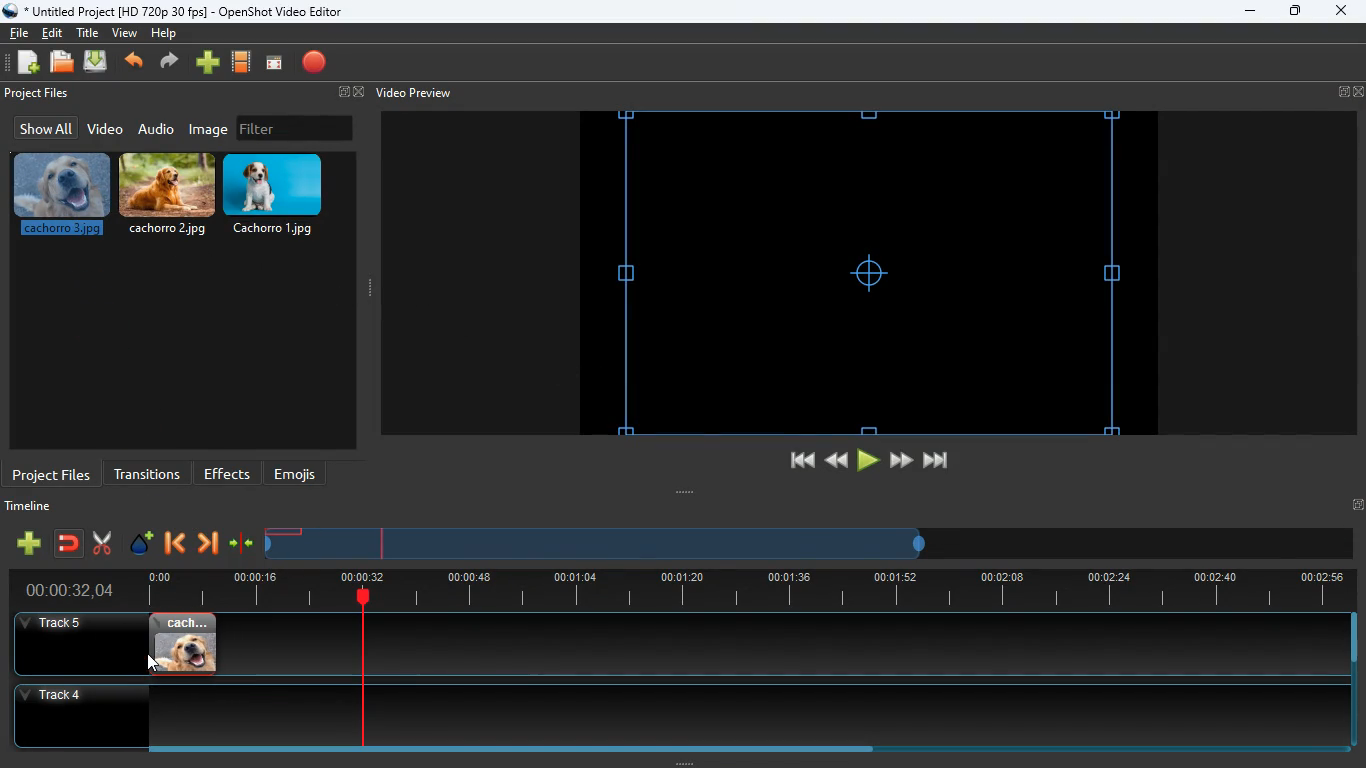 The width and height of the screenshot is (1366, 768). What do you see at coordinates (735, 749) in the screenshot?
I see `Horizontal slide bar` at bounding box center [735, 749].